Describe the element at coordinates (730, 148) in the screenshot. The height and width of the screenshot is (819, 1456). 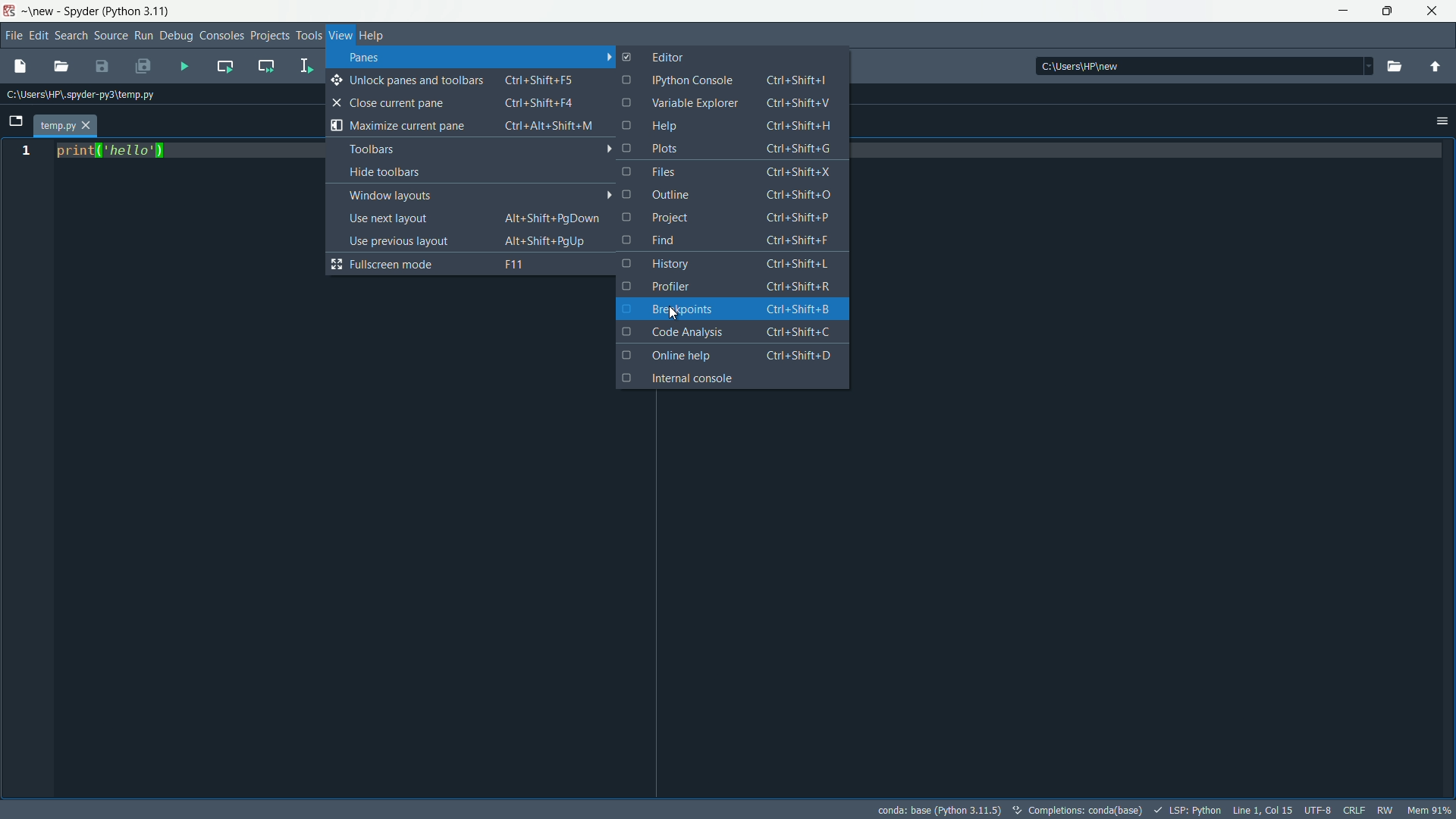
I see `plots` at that location.